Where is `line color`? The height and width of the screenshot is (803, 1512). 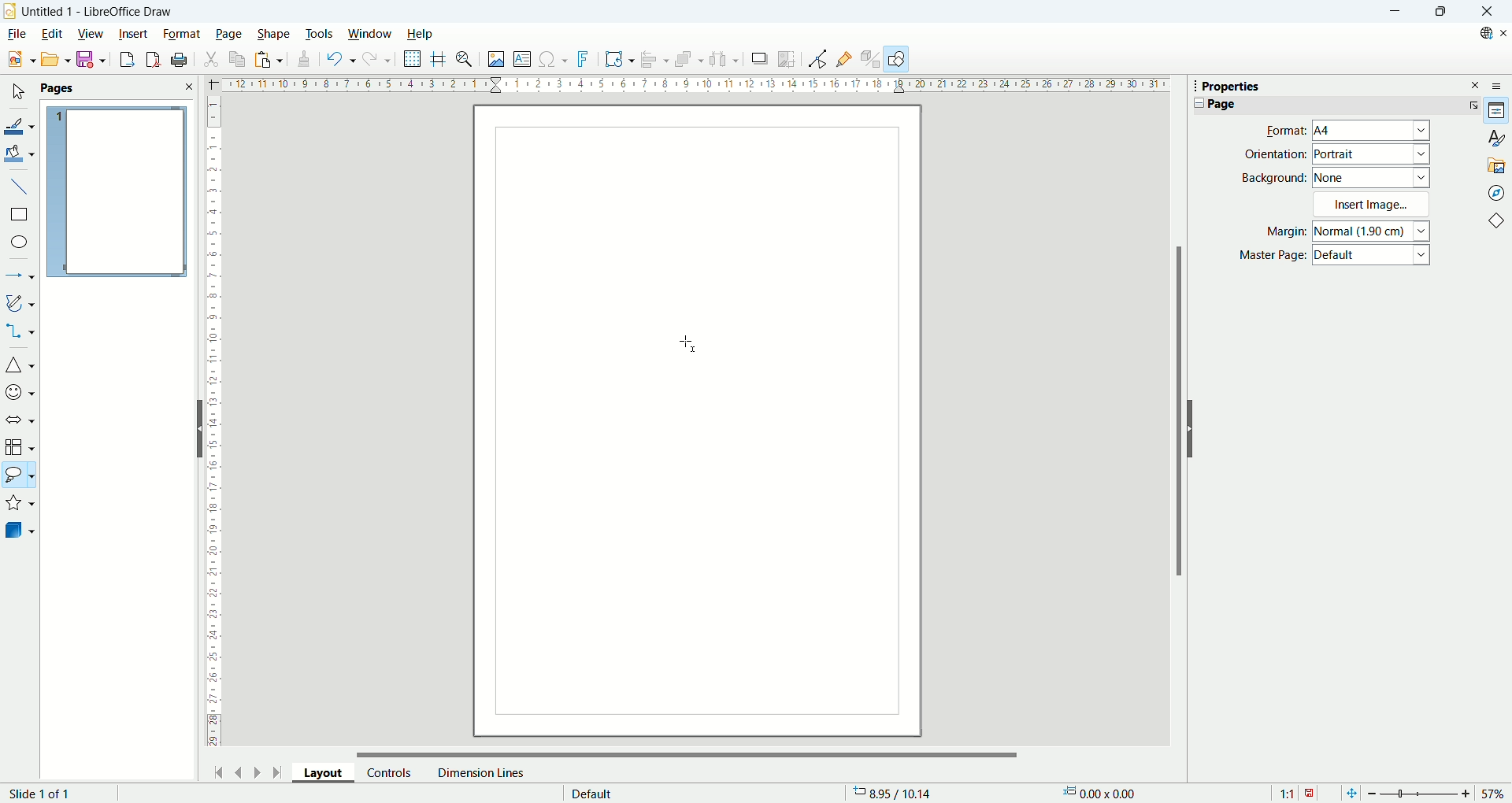 line color is located at coordinates (20, 124).